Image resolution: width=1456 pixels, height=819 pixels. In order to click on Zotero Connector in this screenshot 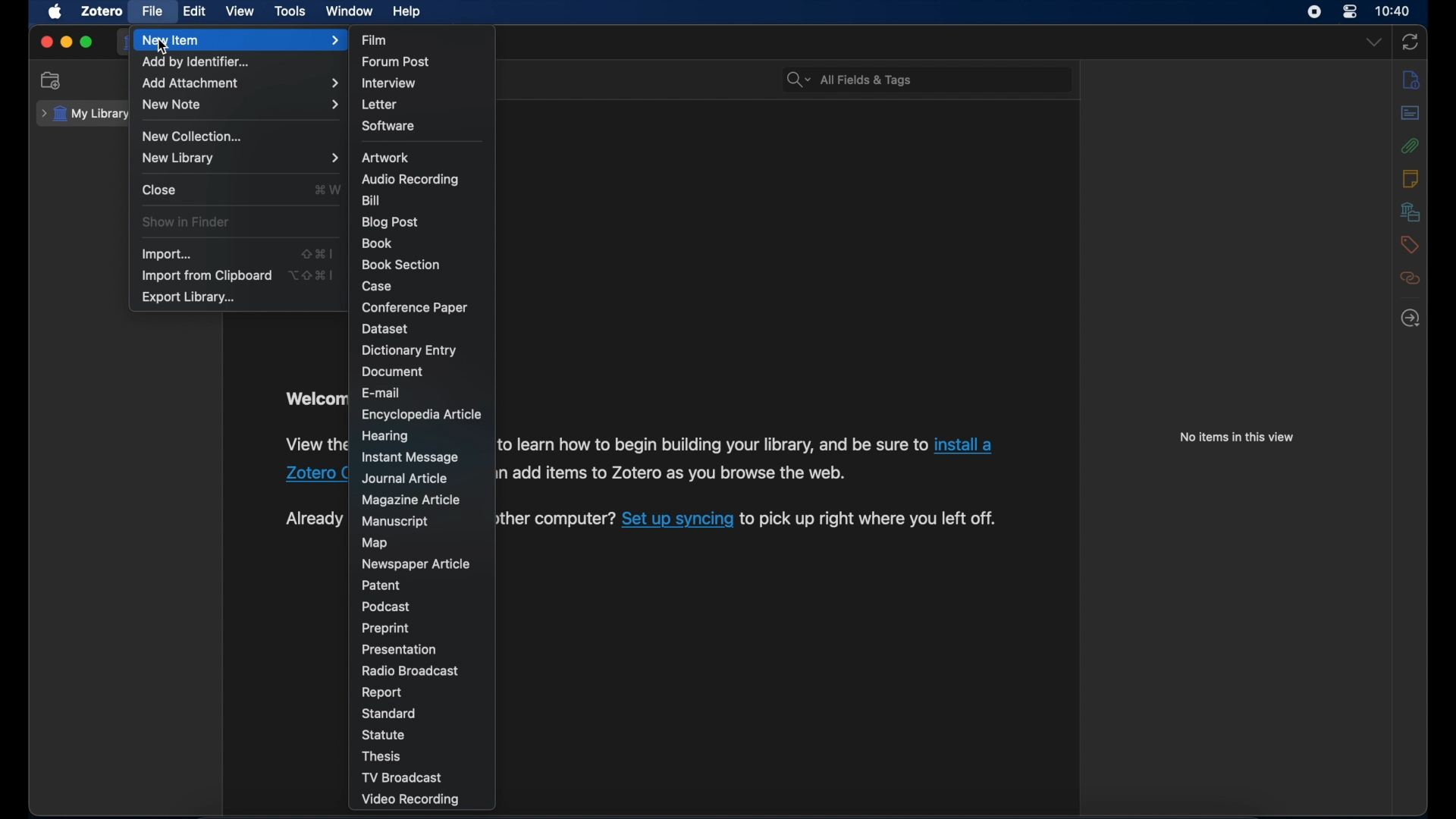, I will do `click(314, 475)`.